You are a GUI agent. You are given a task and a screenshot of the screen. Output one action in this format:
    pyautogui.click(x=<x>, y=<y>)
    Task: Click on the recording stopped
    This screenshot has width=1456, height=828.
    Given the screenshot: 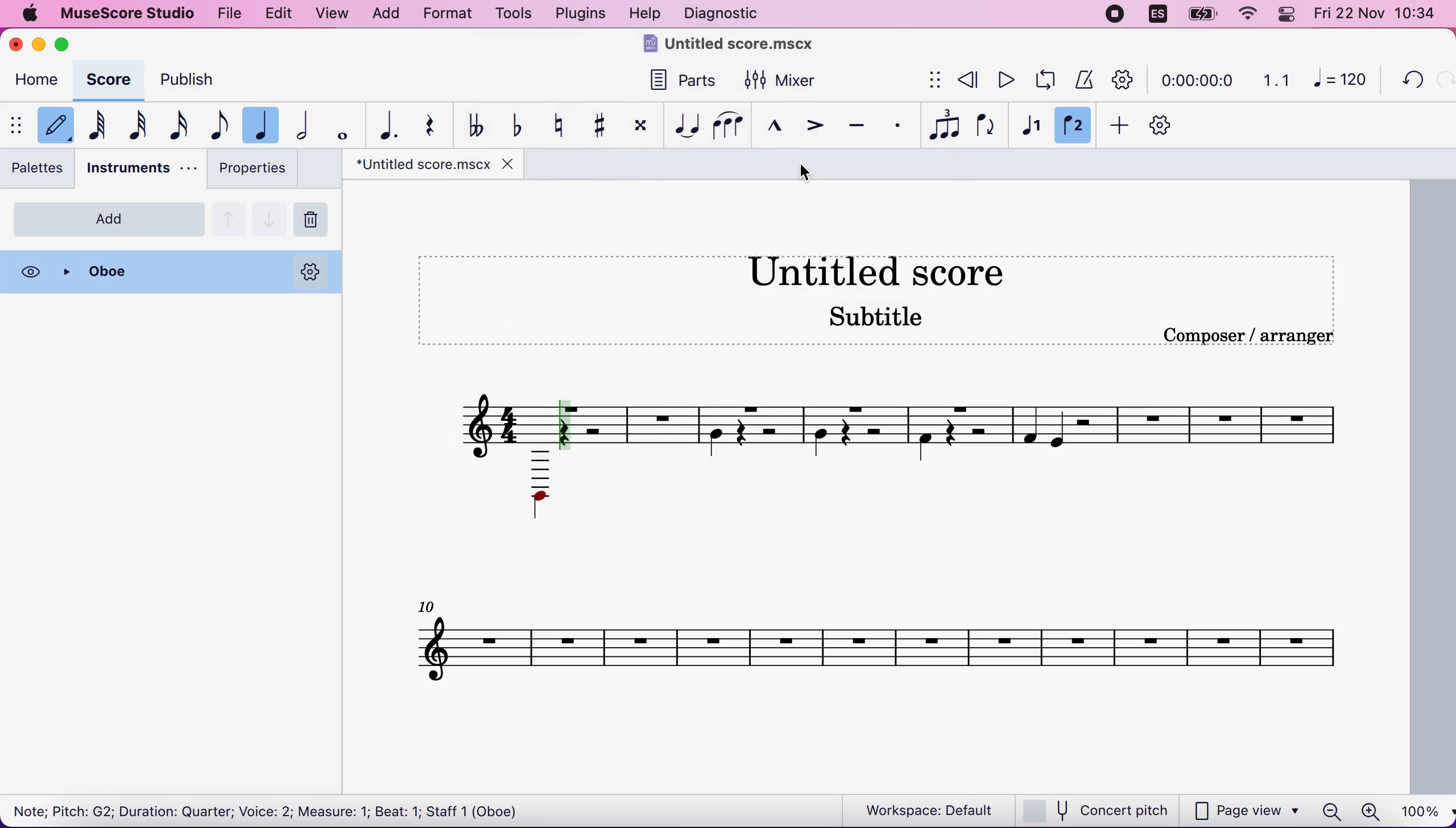 What is the action you would take?
    pyautogui.click(x=1116, y=15)
    